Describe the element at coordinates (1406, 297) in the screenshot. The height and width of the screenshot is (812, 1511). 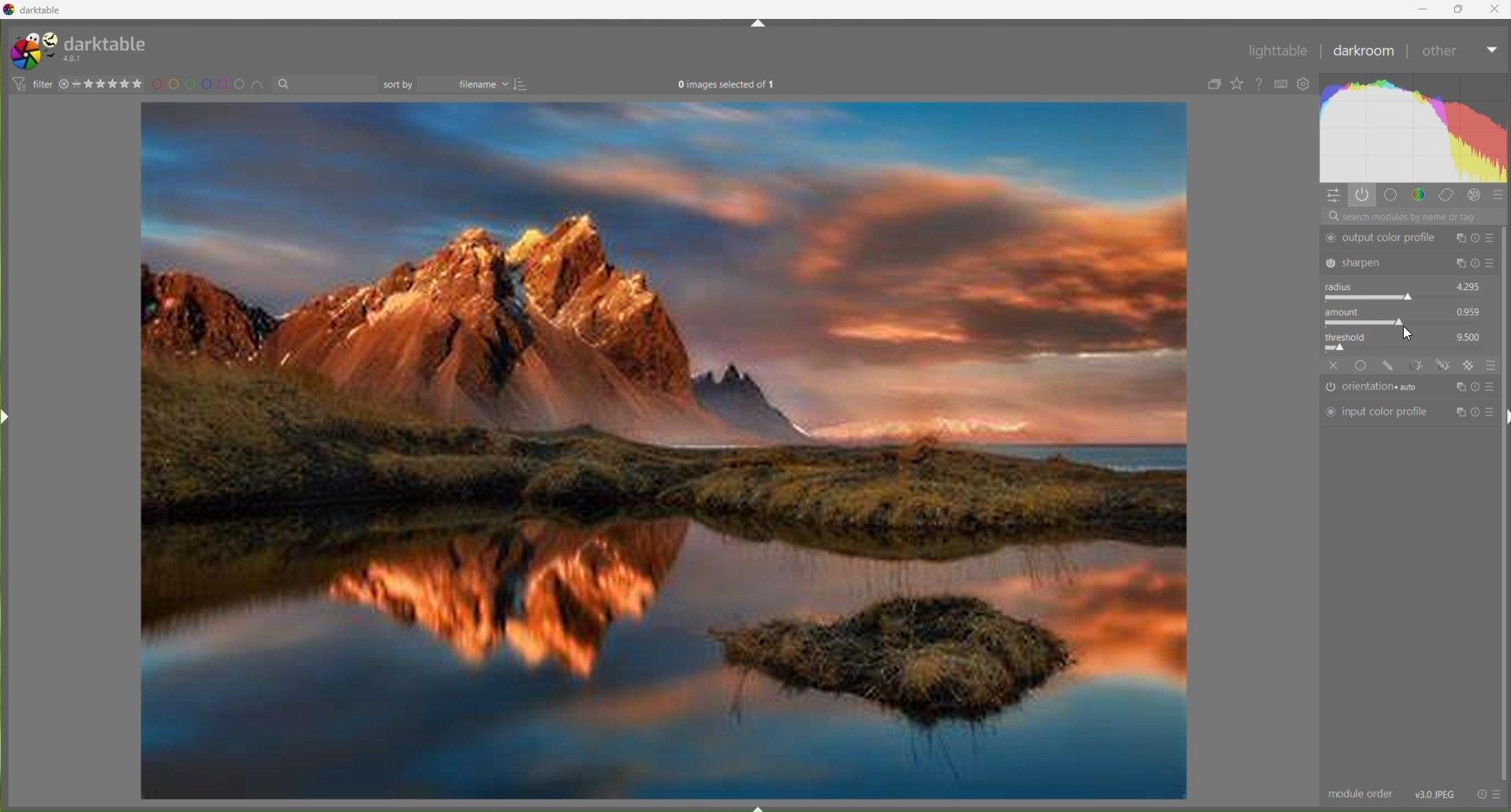
I see `input slider` at that location.